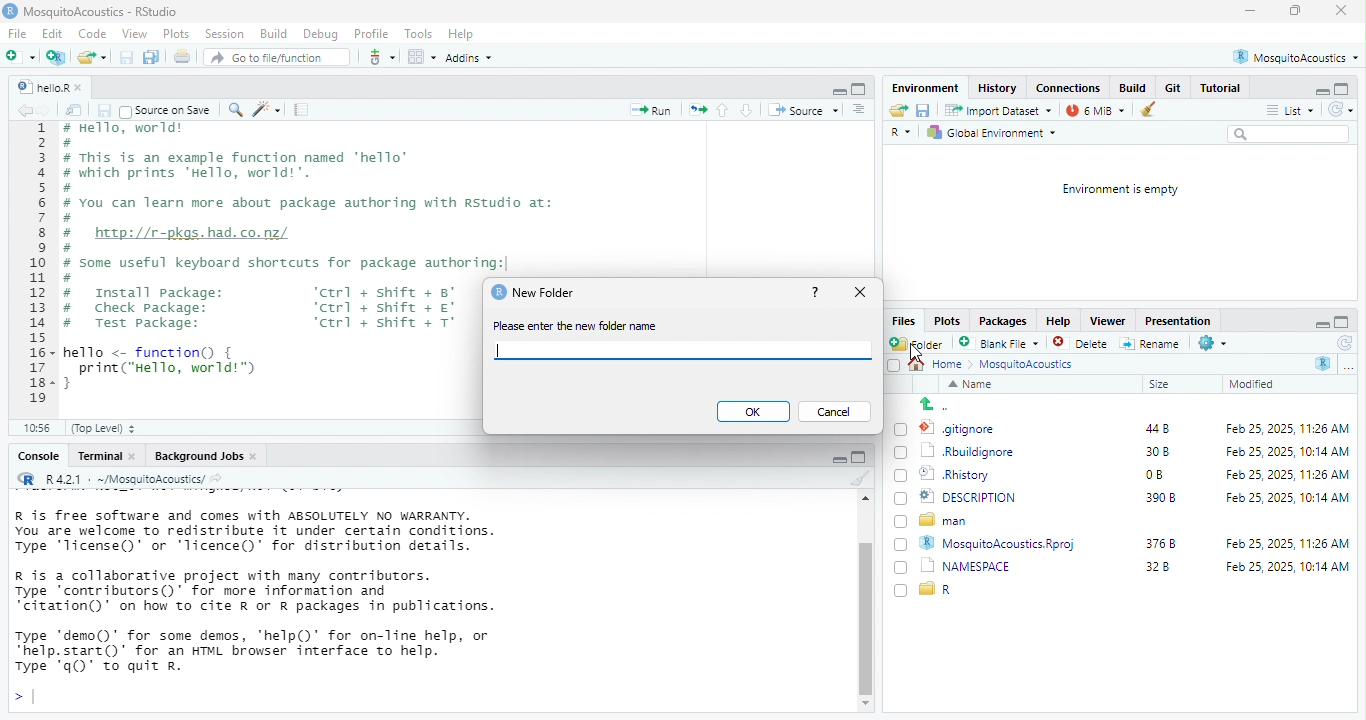  I want to click on compile report, so click(303, 111).